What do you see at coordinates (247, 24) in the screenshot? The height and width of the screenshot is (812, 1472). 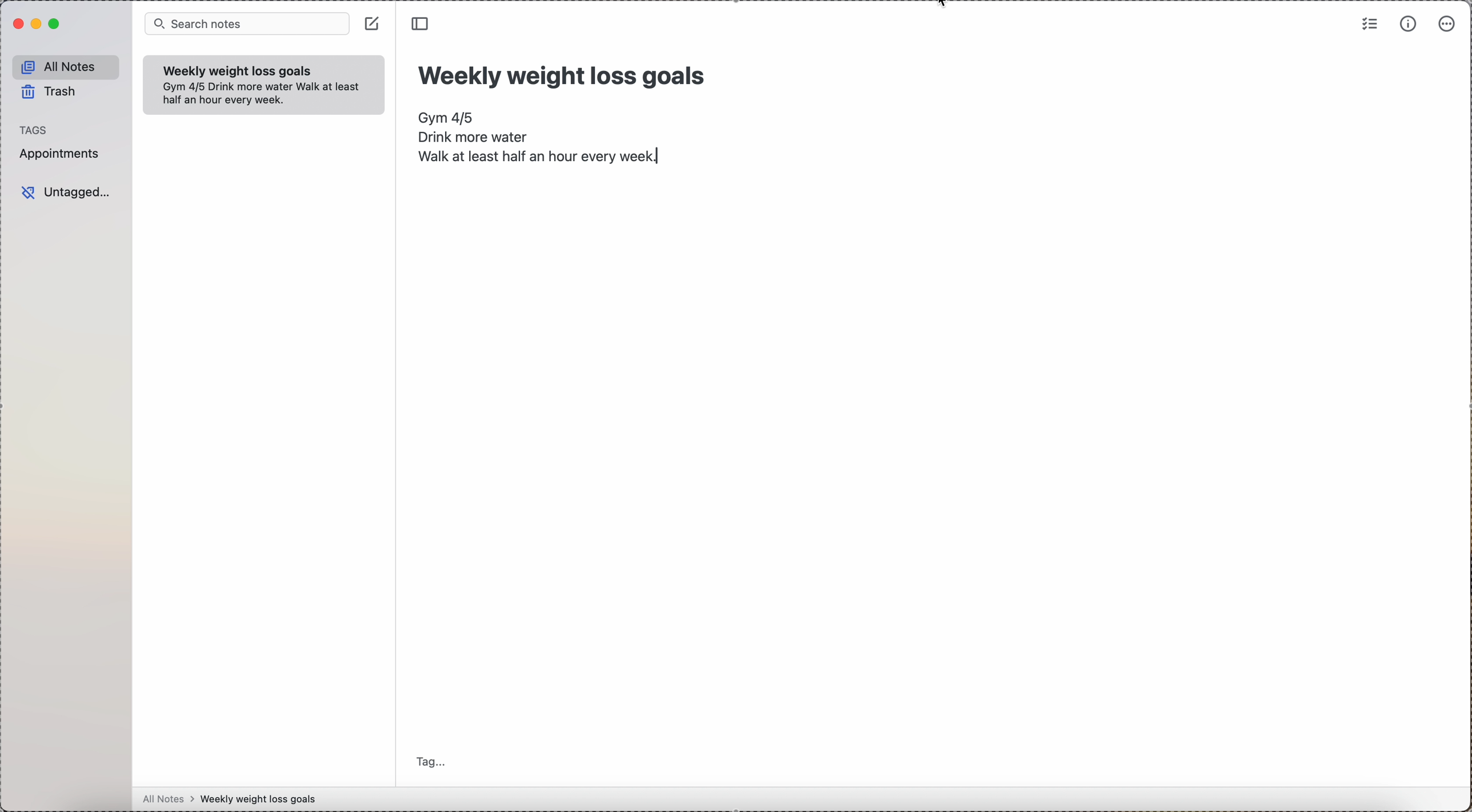 I see `search bar` at bounding box center [247, 24].